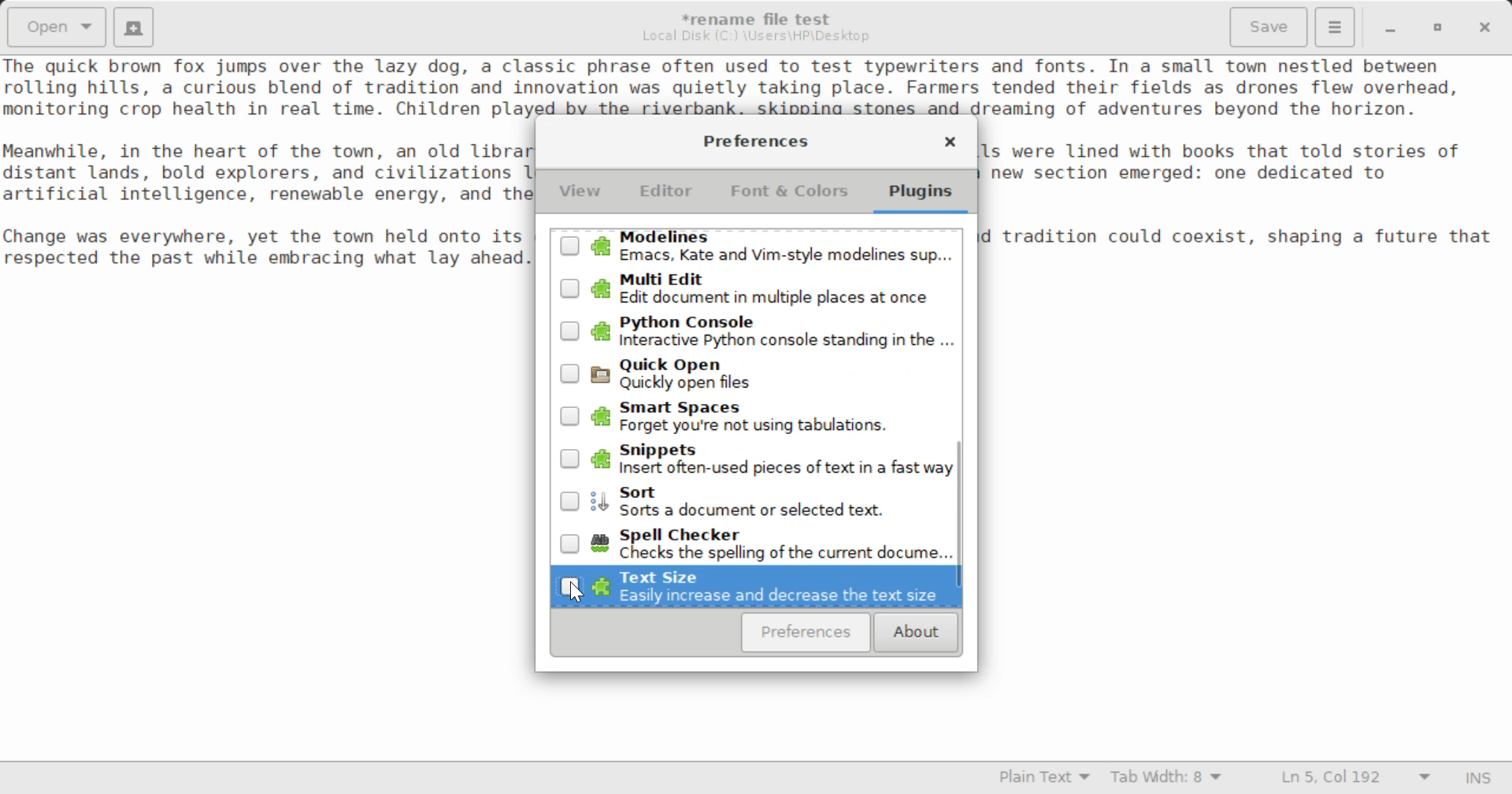 Image resolution: width=1512 pixels, height=794 pixels. Describe the element at coordinates (1356, 779) in the screenshot. I see `Line & Character Count` at that location.